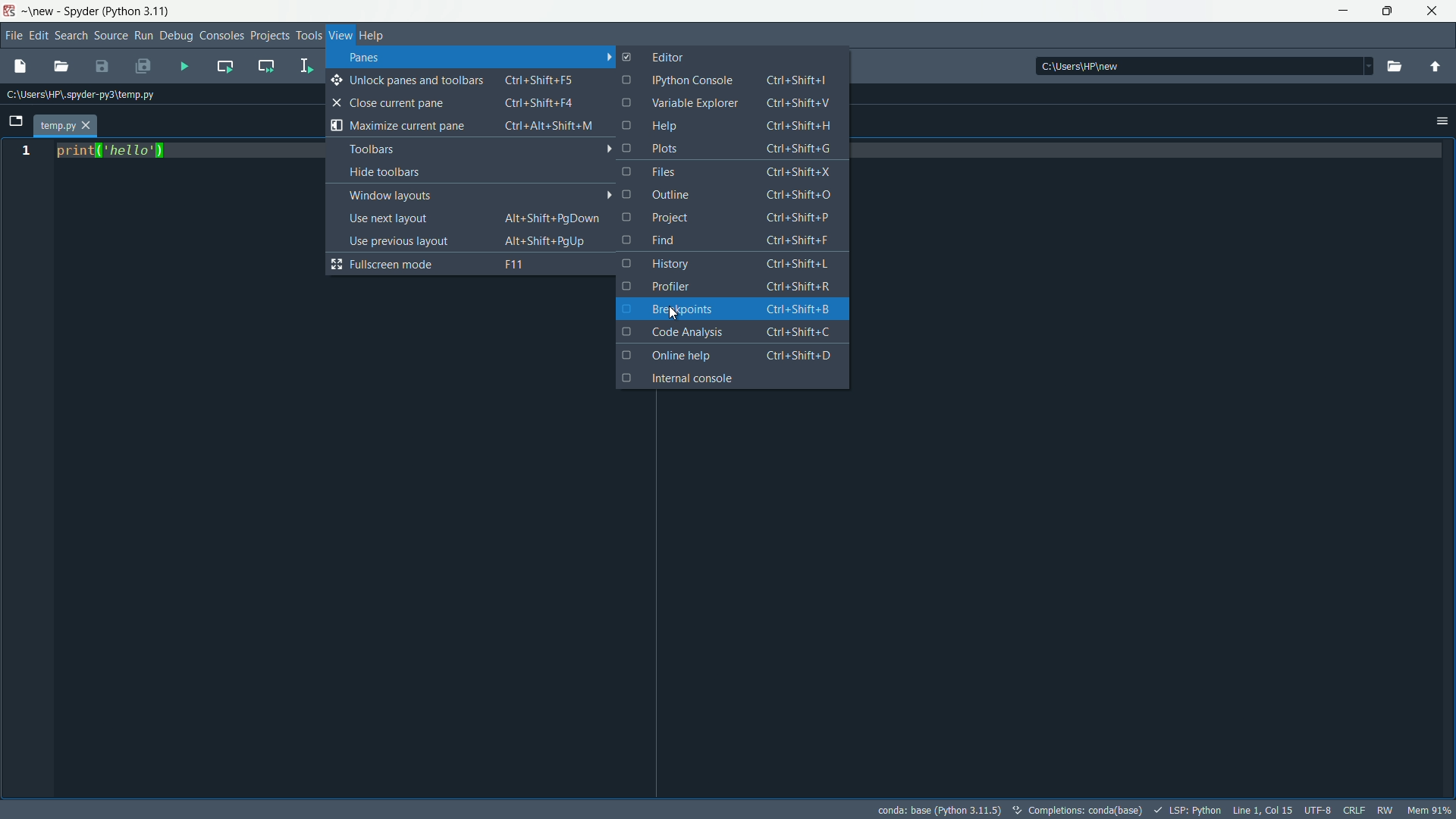 This screenshot has height=819, width=1456. What do you see at coordinates (115, 151) in the screenshot?
I see `print('hello')` at bounding box center [115, 151].